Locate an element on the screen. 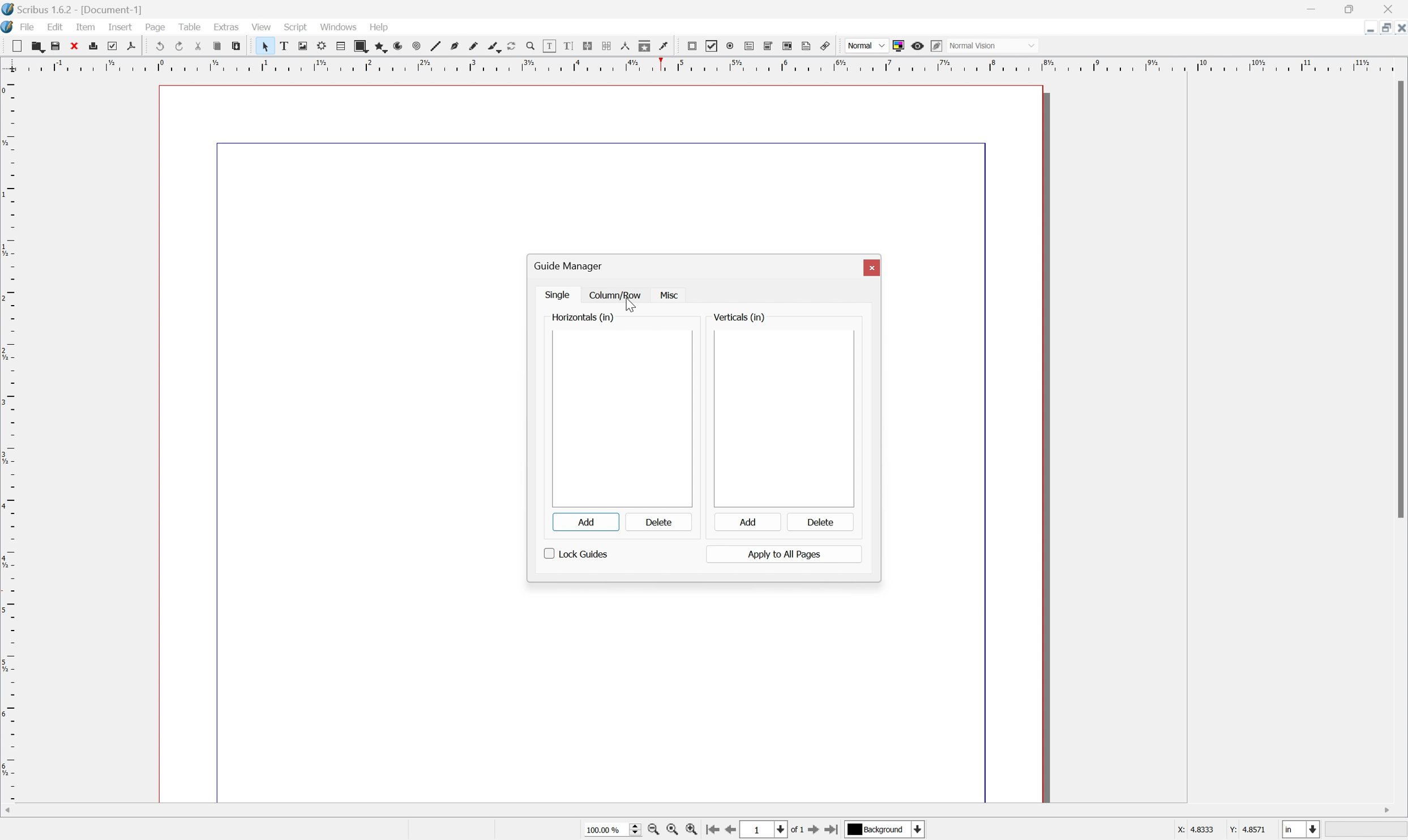 The height and width of the screenshot is (840, 1408). pdf list box is located at coordinates (788, 46).